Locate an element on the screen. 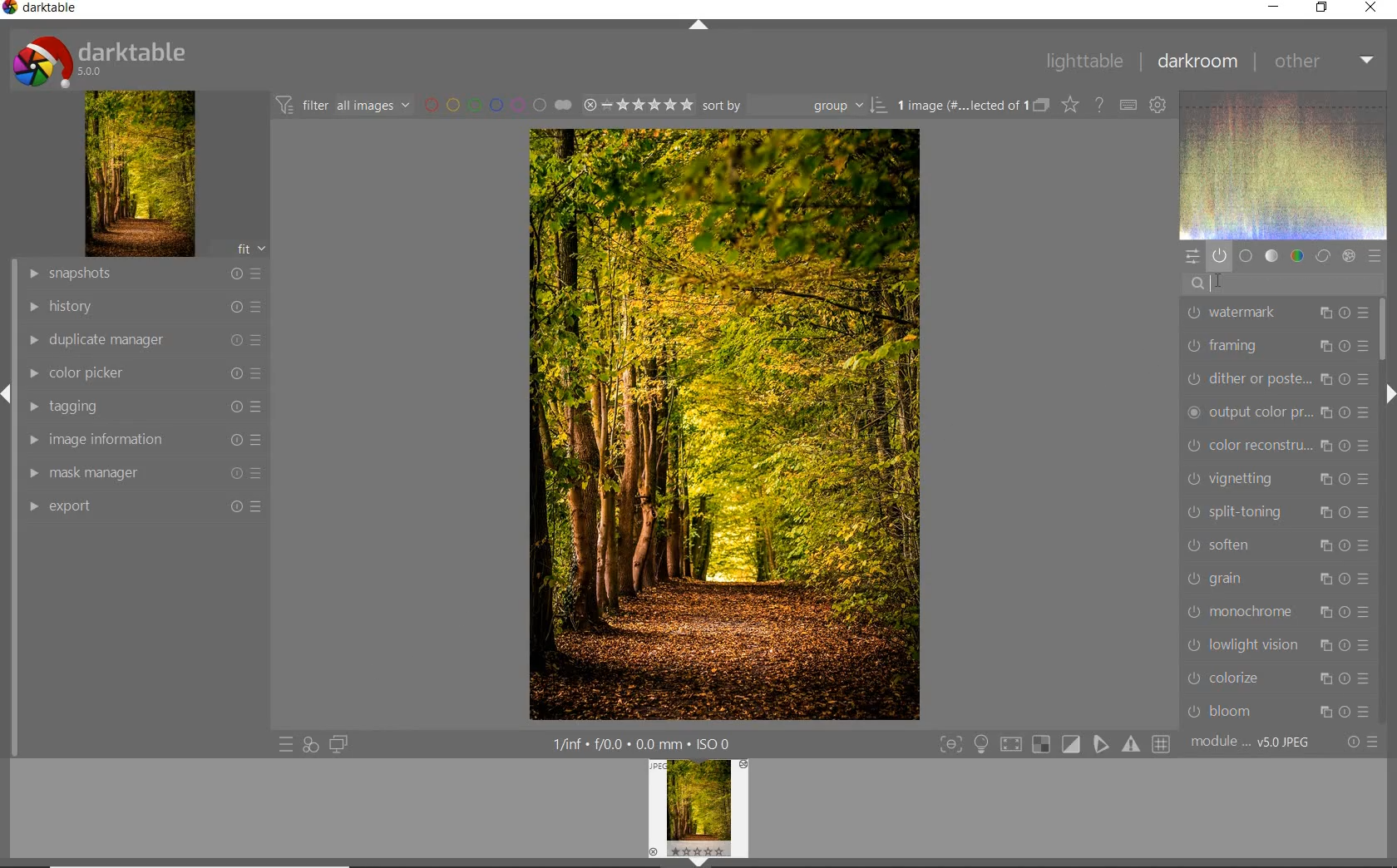 The height and width of the screenshot is (868, 1397). image preview is located at coordinates (698, 814).